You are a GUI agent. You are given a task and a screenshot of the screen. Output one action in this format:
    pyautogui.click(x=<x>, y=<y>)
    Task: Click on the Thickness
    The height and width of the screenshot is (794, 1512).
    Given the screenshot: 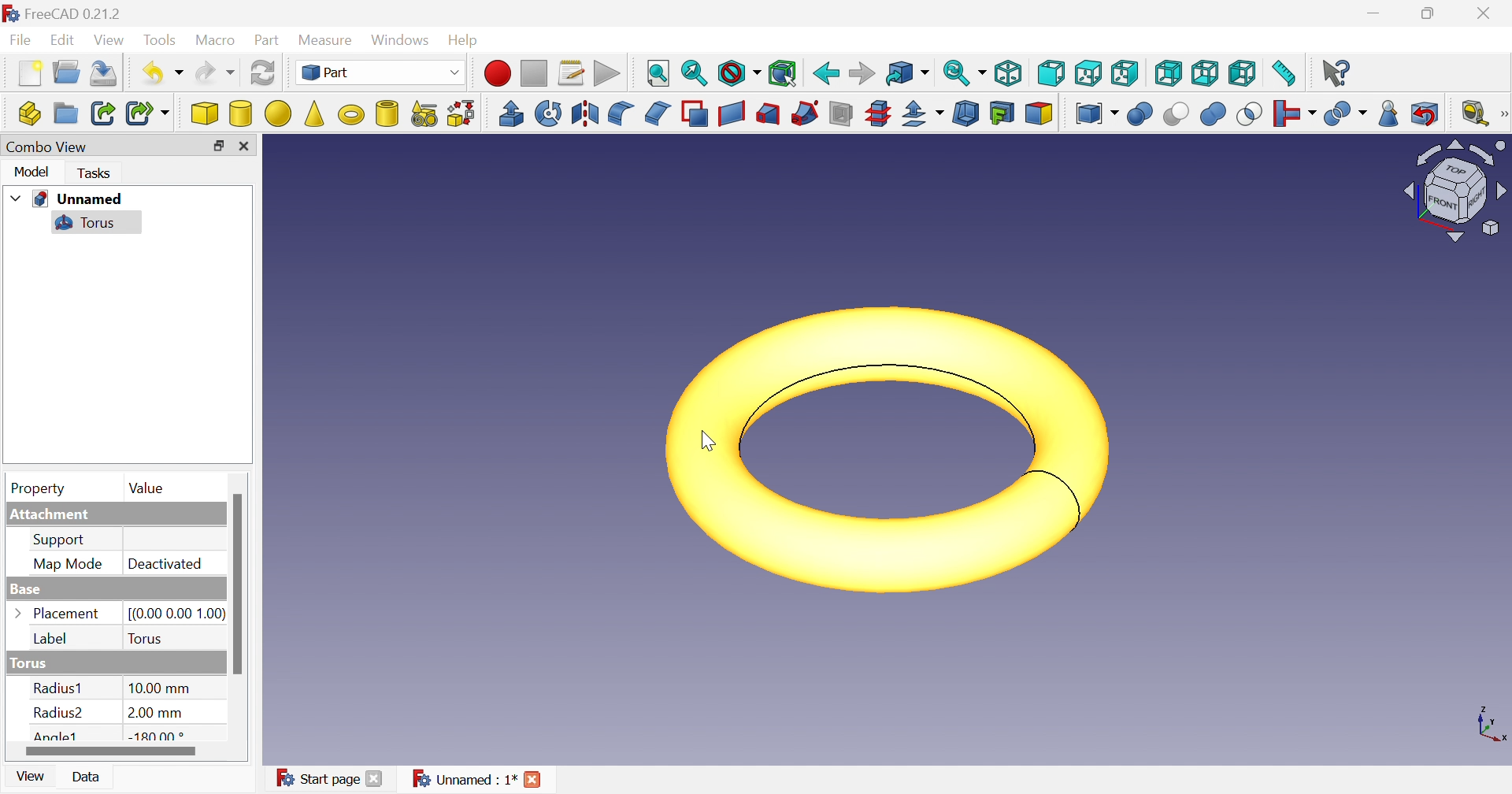 What is the action you would take?
    pyautogui.click(x=967, y=114)
    